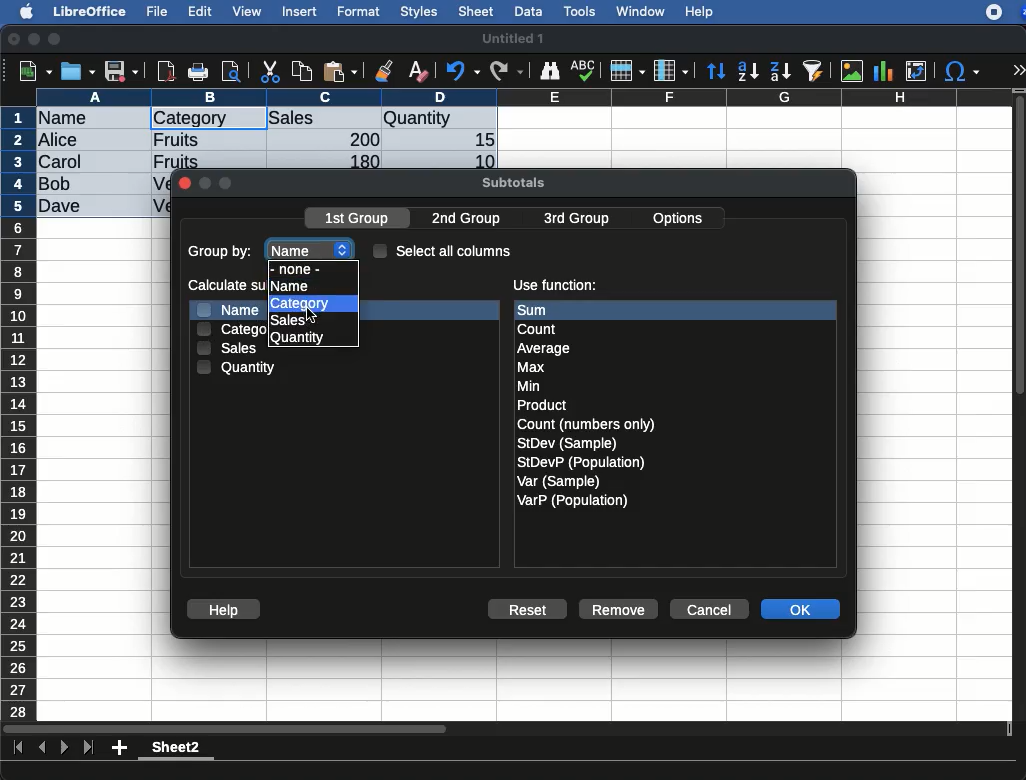 The height and width of the screenshot is (780, 1026). Describe the element at coordinates (479, 160) in the screenshot. I see `10` at that location.